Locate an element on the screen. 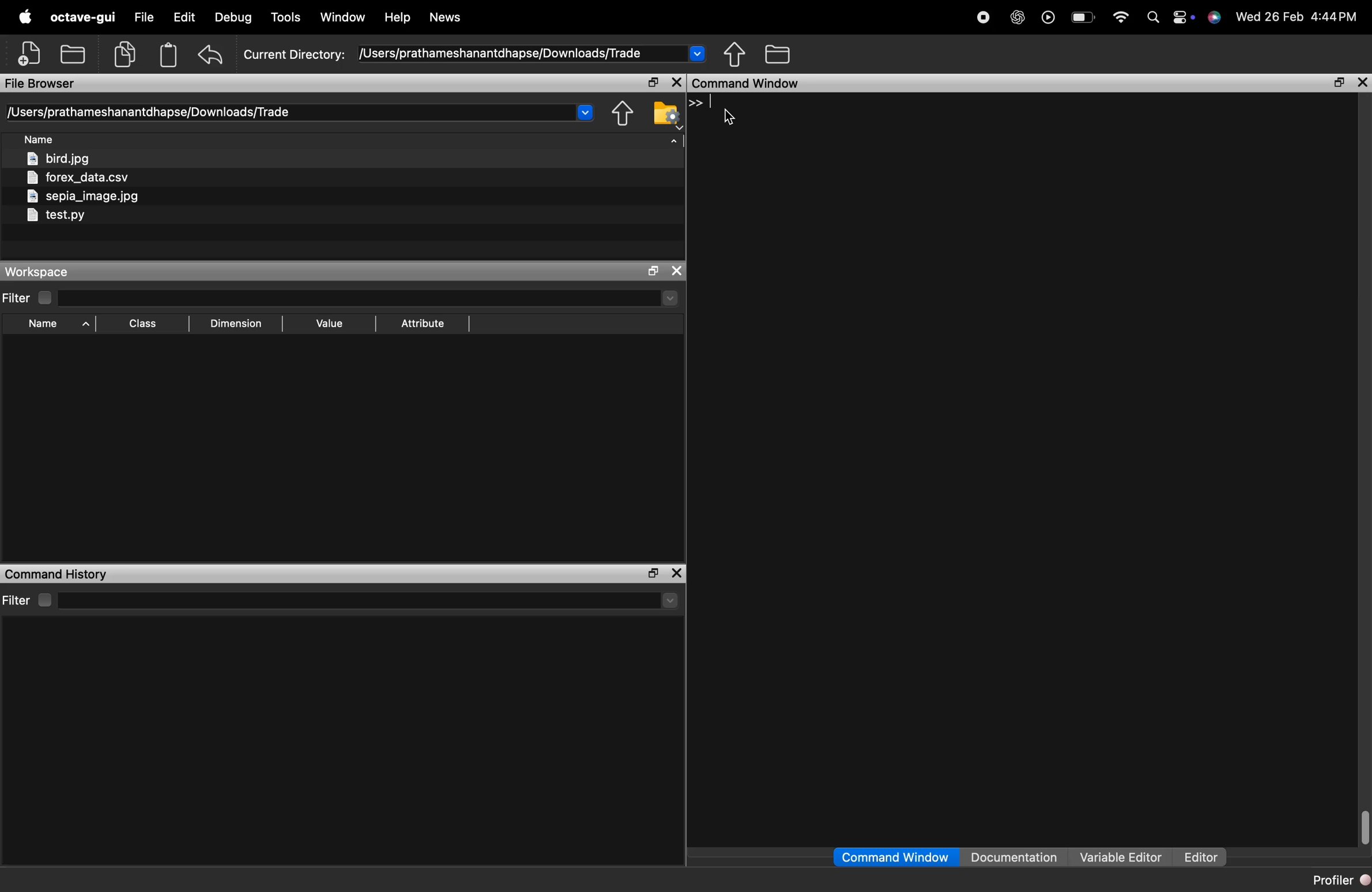 This screenshot has width=1372, height=892. Workspace is located at coordinates (35, 272).